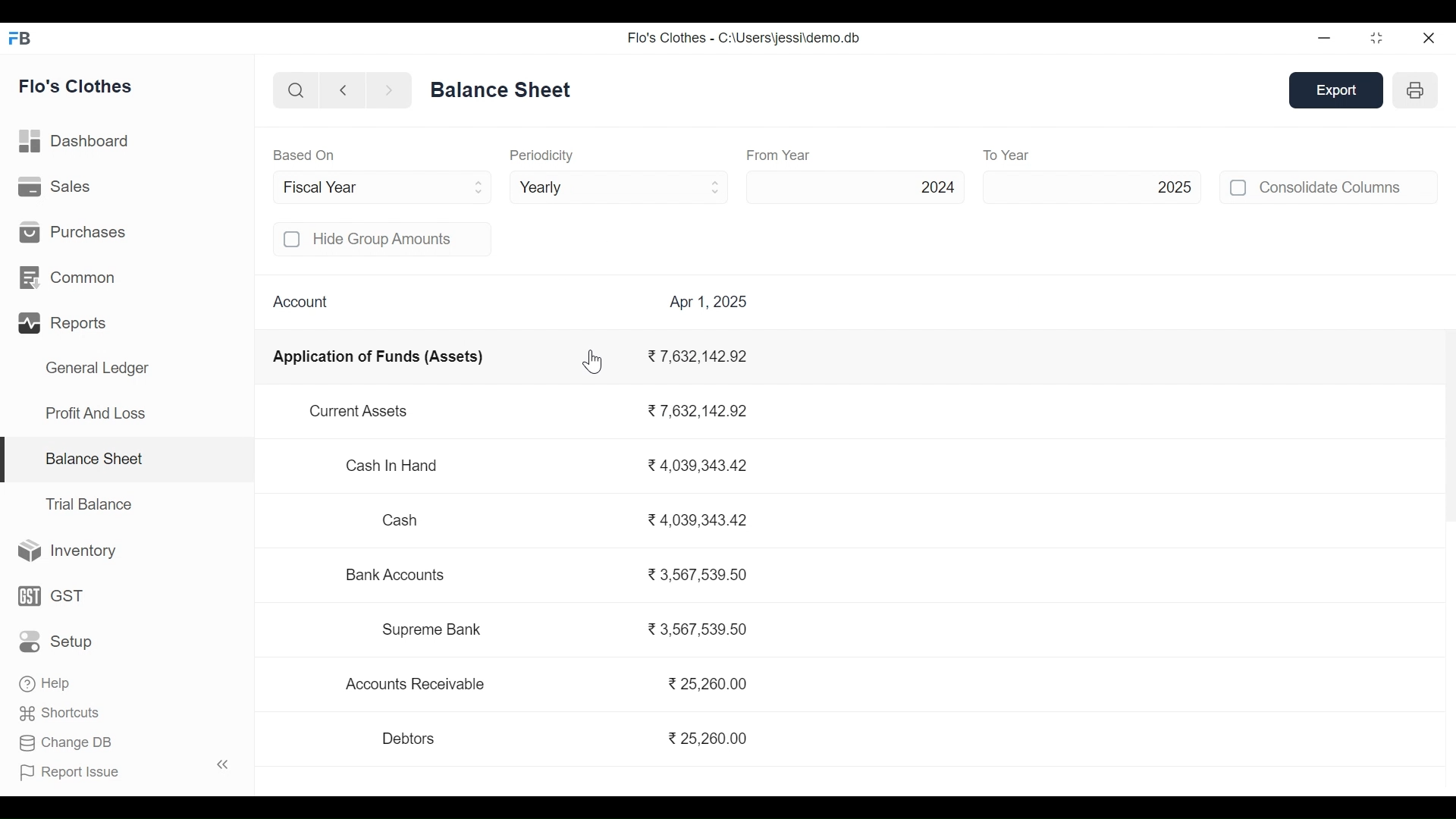 Image resolution: width=1456 pixels, height=819 pixels. I want to click on Balance Sheet, so click(93, 457).